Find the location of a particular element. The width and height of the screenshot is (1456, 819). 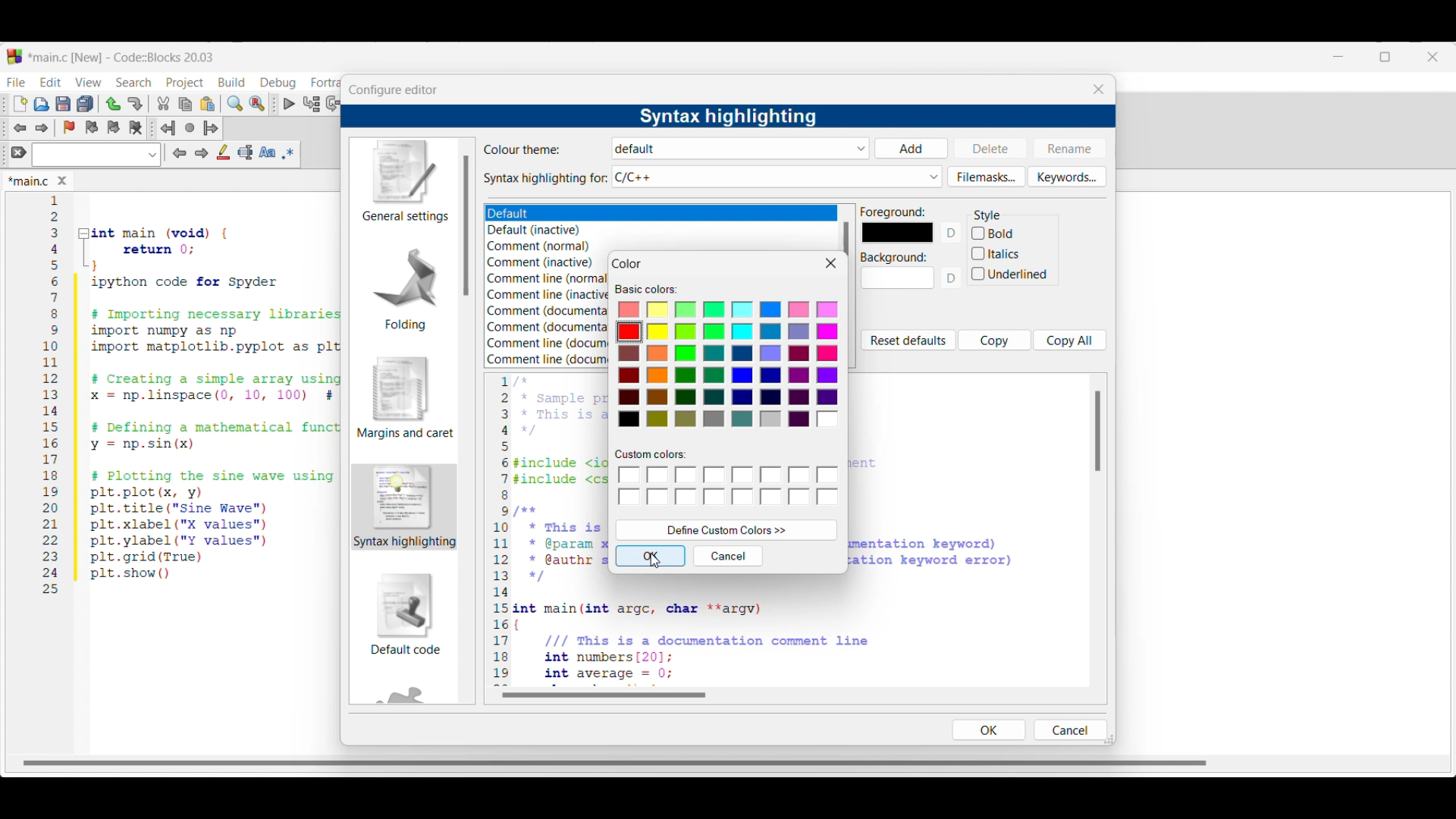

Define custom colors is located at coordinates (727, 530).